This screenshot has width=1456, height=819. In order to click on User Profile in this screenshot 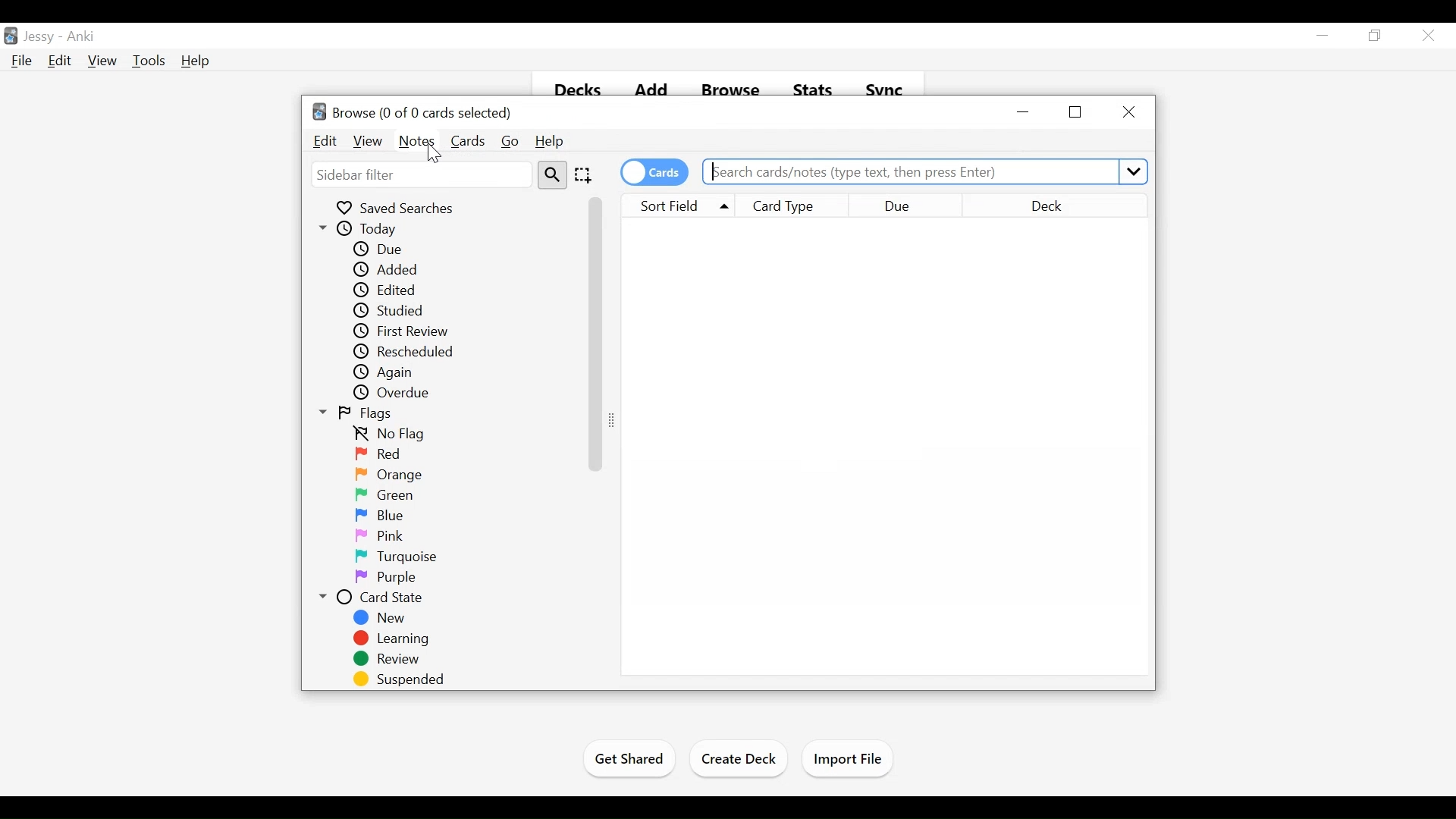, I will do `click(39, 37)`.